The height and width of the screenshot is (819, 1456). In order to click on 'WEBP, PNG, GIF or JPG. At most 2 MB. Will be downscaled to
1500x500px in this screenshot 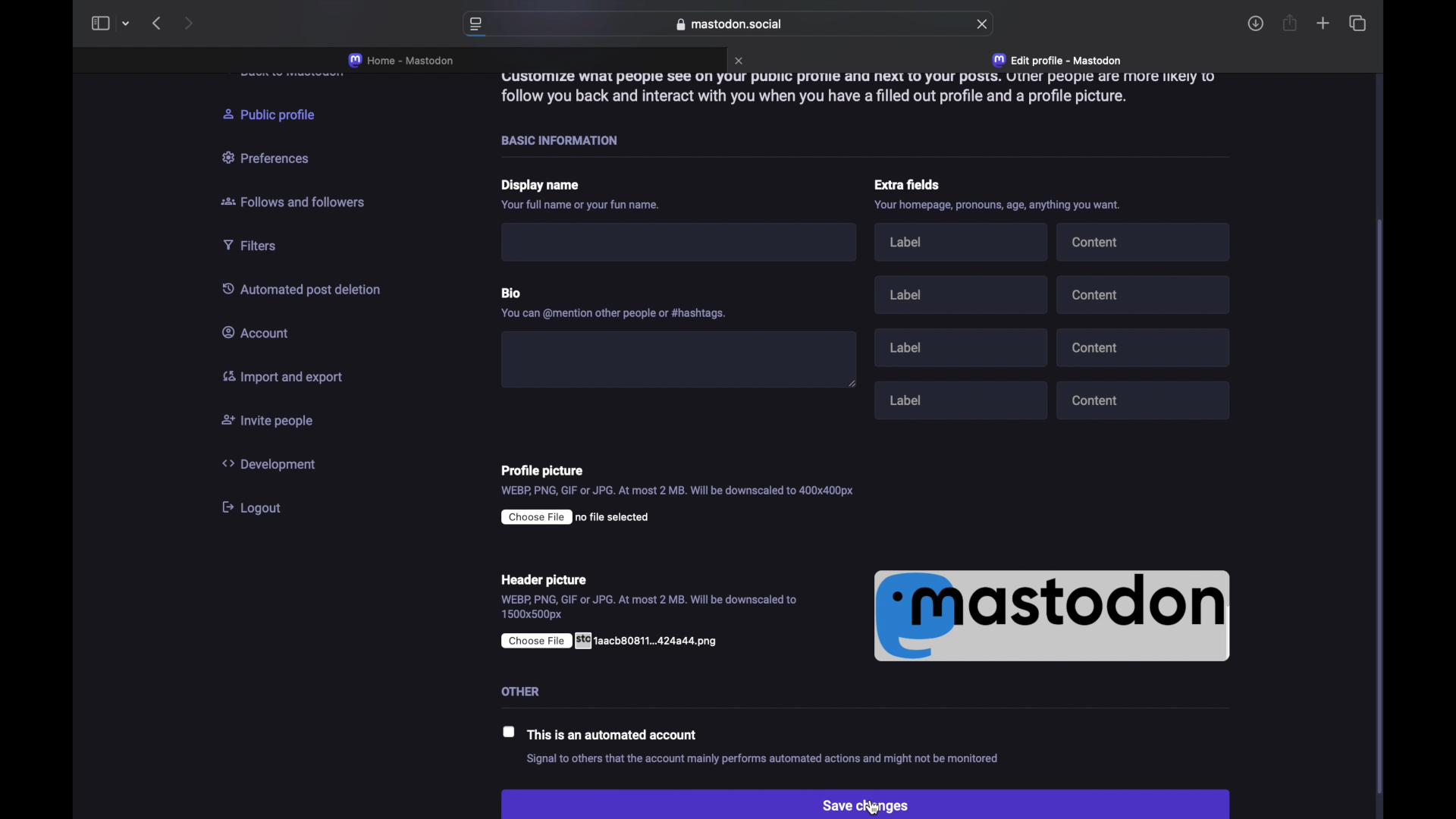, I will do `click(650, 607)`.